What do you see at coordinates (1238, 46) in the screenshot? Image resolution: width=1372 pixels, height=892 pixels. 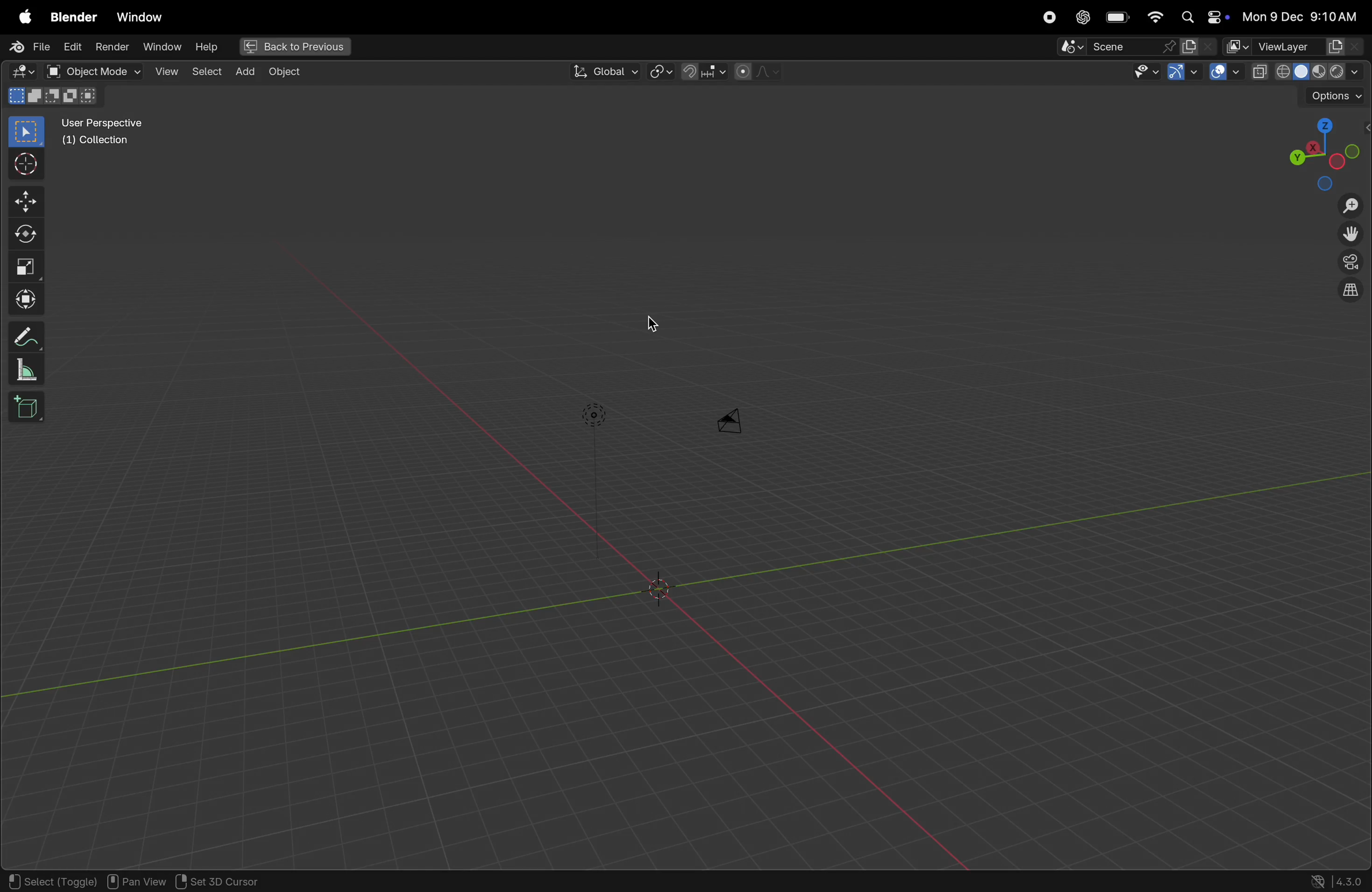 I see `active workscpace` at bounding box center [1238, 46].